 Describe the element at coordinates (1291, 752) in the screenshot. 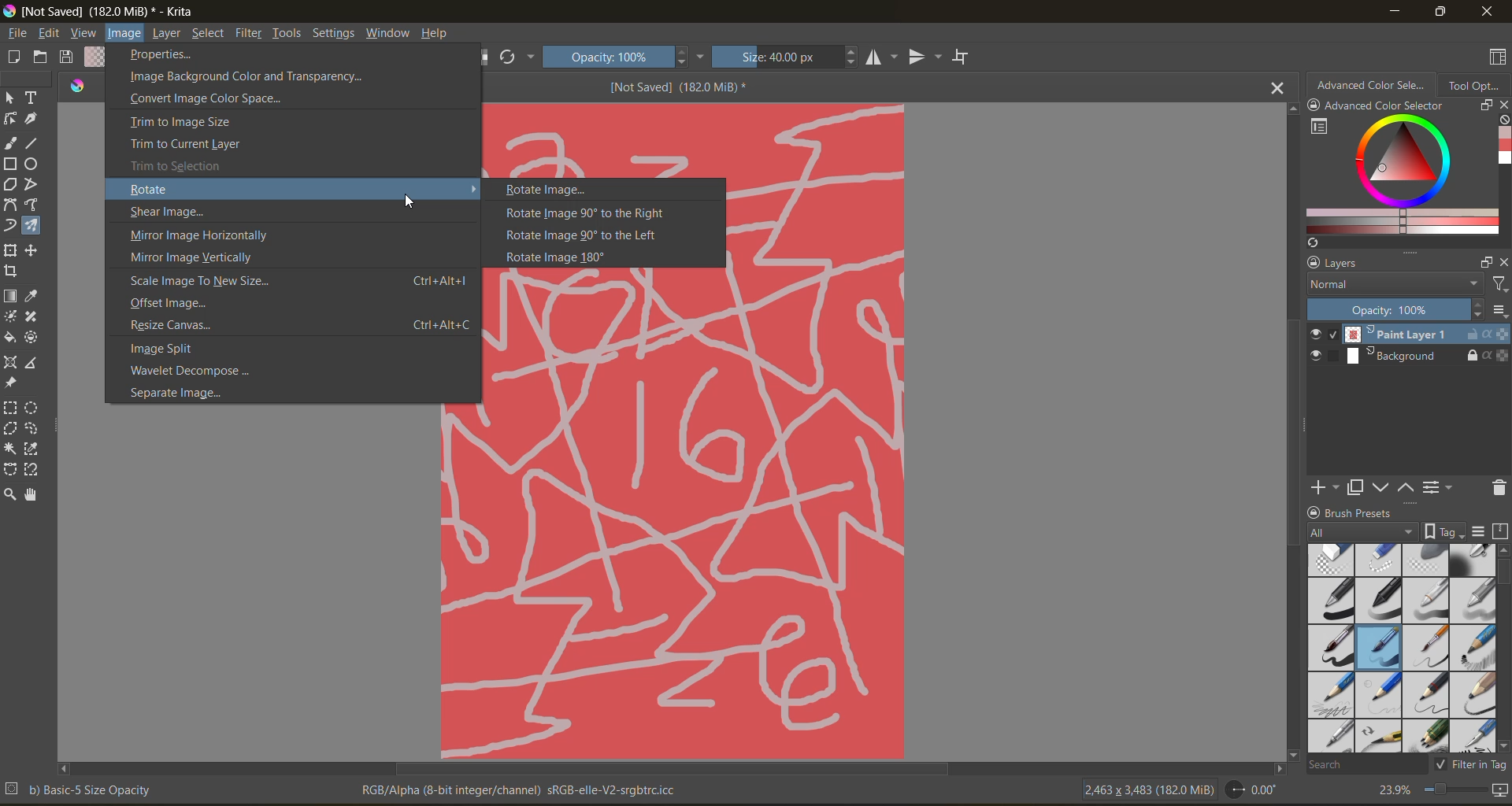

I see `scroll down` at that location.